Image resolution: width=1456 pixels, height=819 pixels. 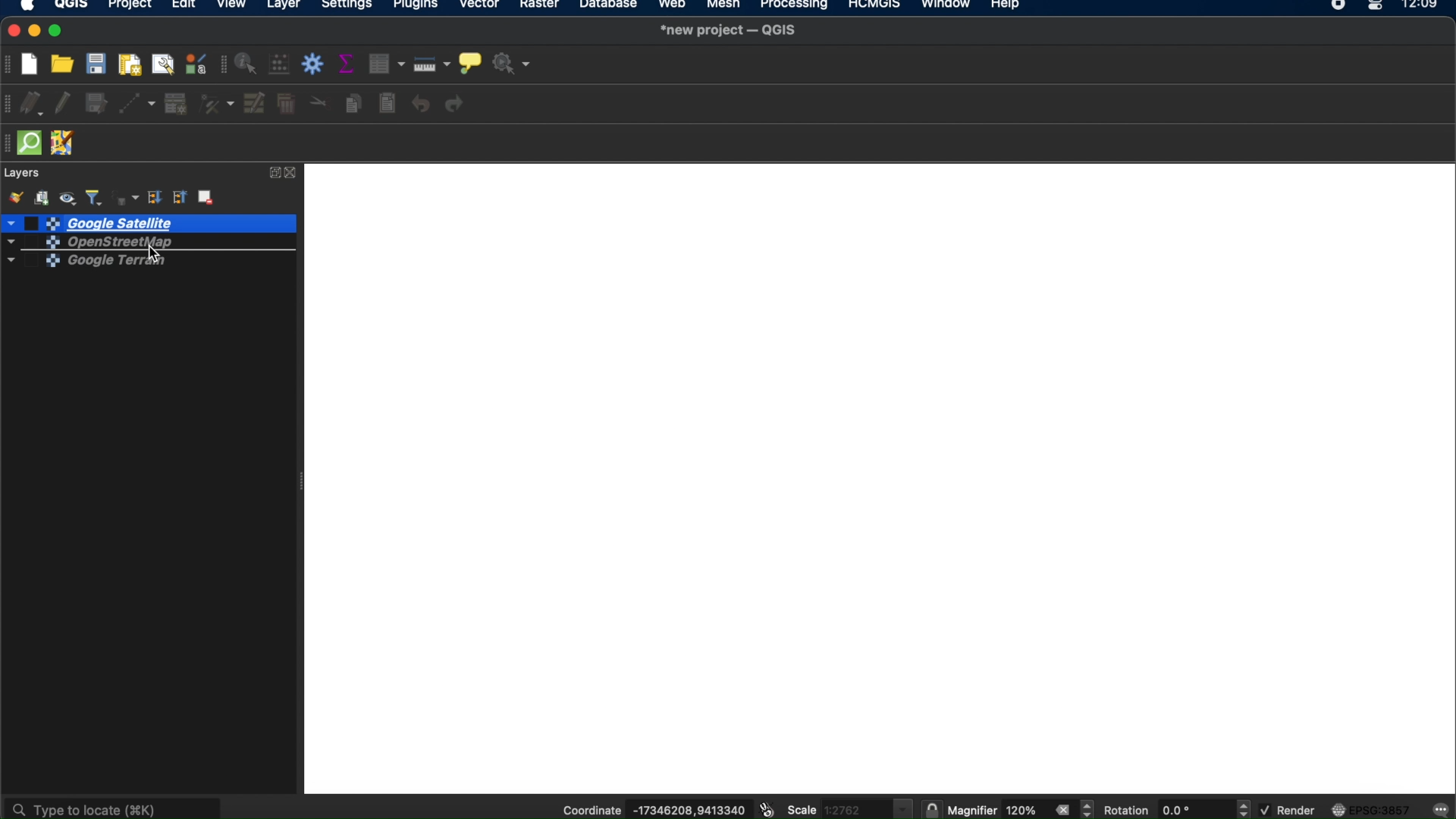 What do you see at coordinates (183, 7) in the screenshot?
I see `edit` at bounding box center [183, 7].